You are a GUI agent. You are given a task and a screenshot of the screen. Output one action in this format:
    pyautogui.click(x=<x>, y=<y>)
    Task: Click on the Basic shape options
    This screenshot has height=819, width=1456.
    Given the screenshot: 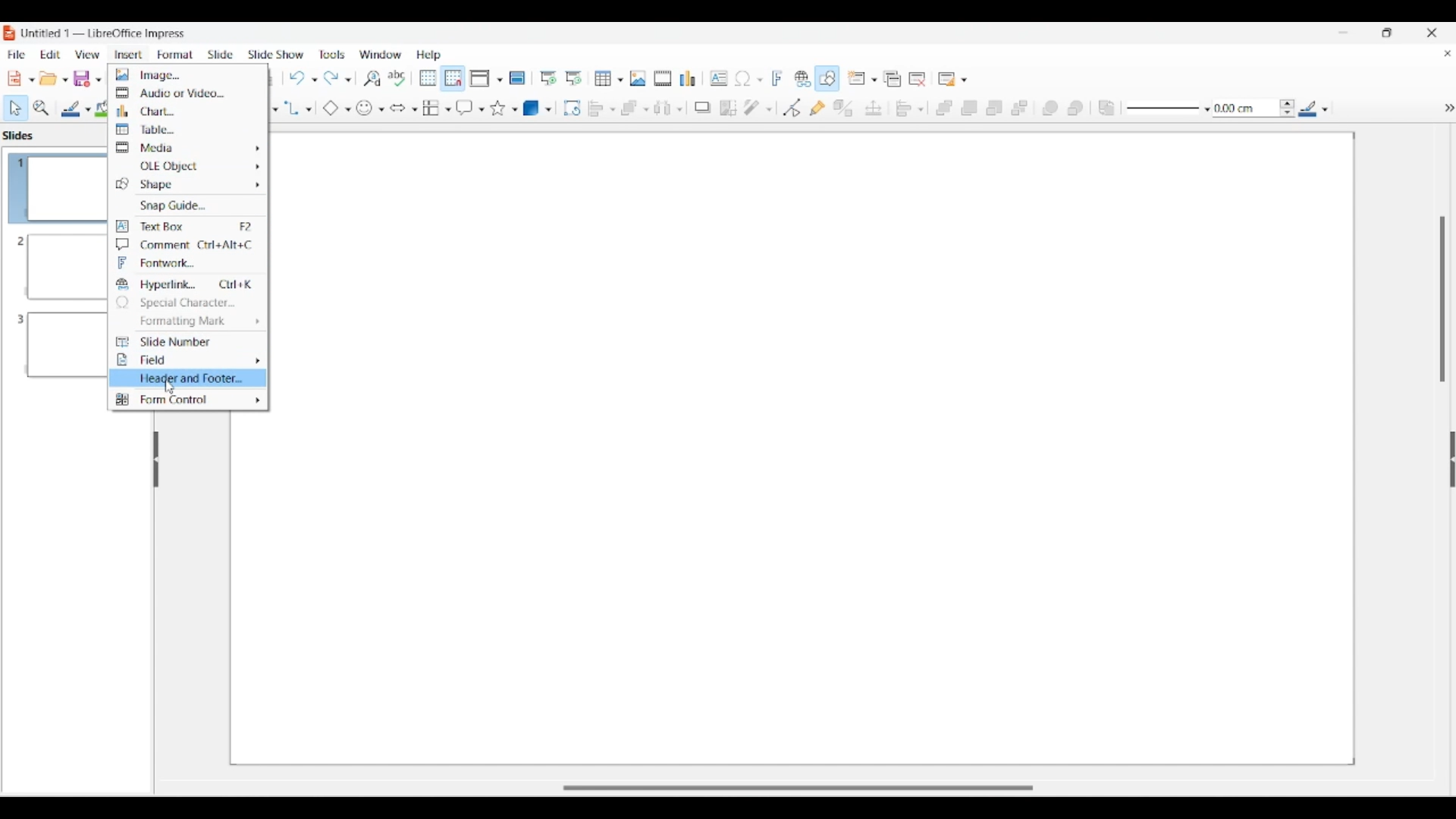 What is the action you would take?
    pyautogui.click(x=337, y=108)
    